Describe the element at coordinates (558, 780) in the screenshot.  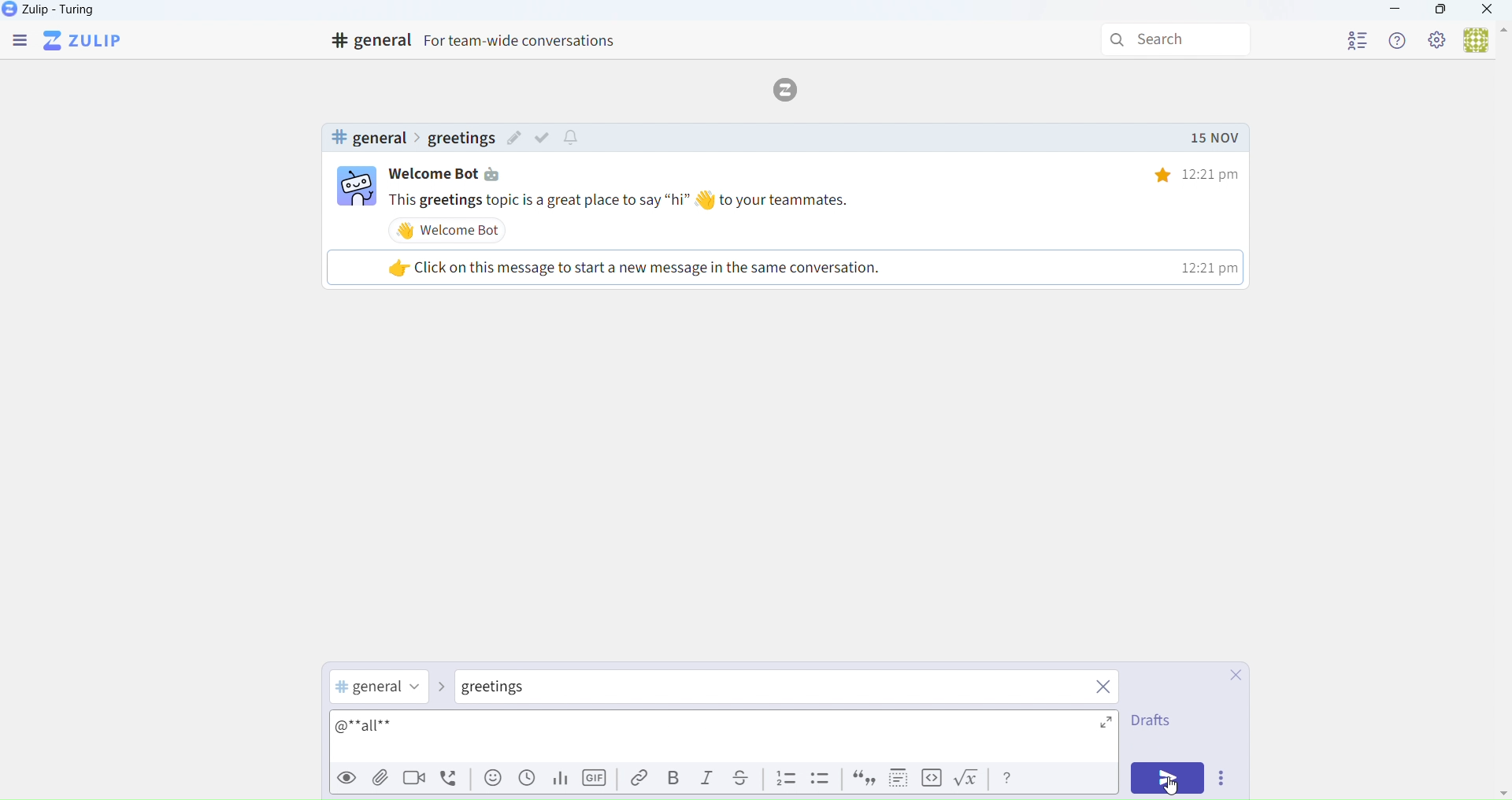
I see `Stats` at that location.